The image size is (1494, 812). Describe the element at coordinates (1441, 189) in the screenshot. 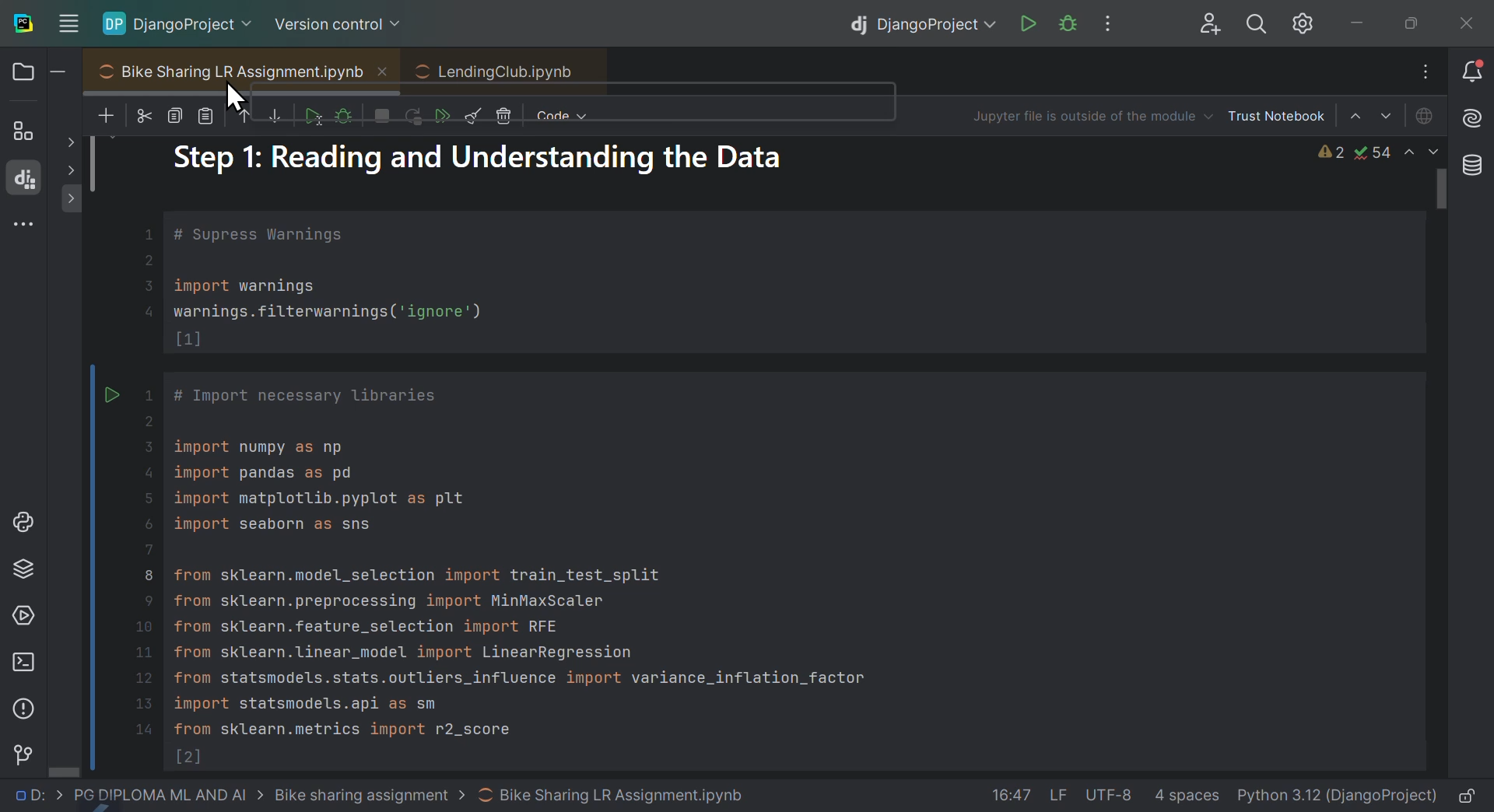

I see `scroll bar` at that location.